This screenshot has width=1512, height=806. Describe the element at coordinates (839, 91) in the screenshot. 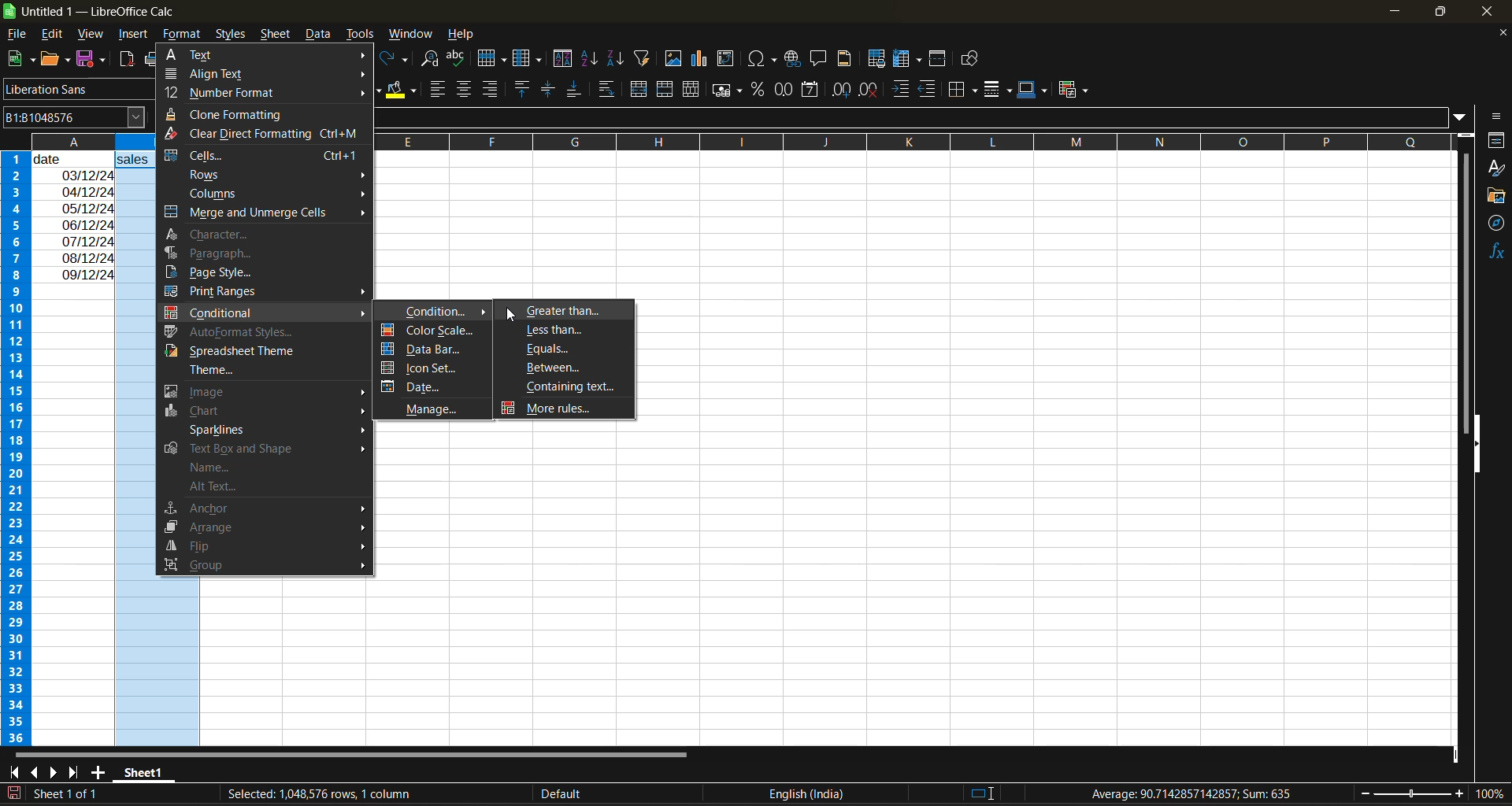

I see `add decimal place` at that location.